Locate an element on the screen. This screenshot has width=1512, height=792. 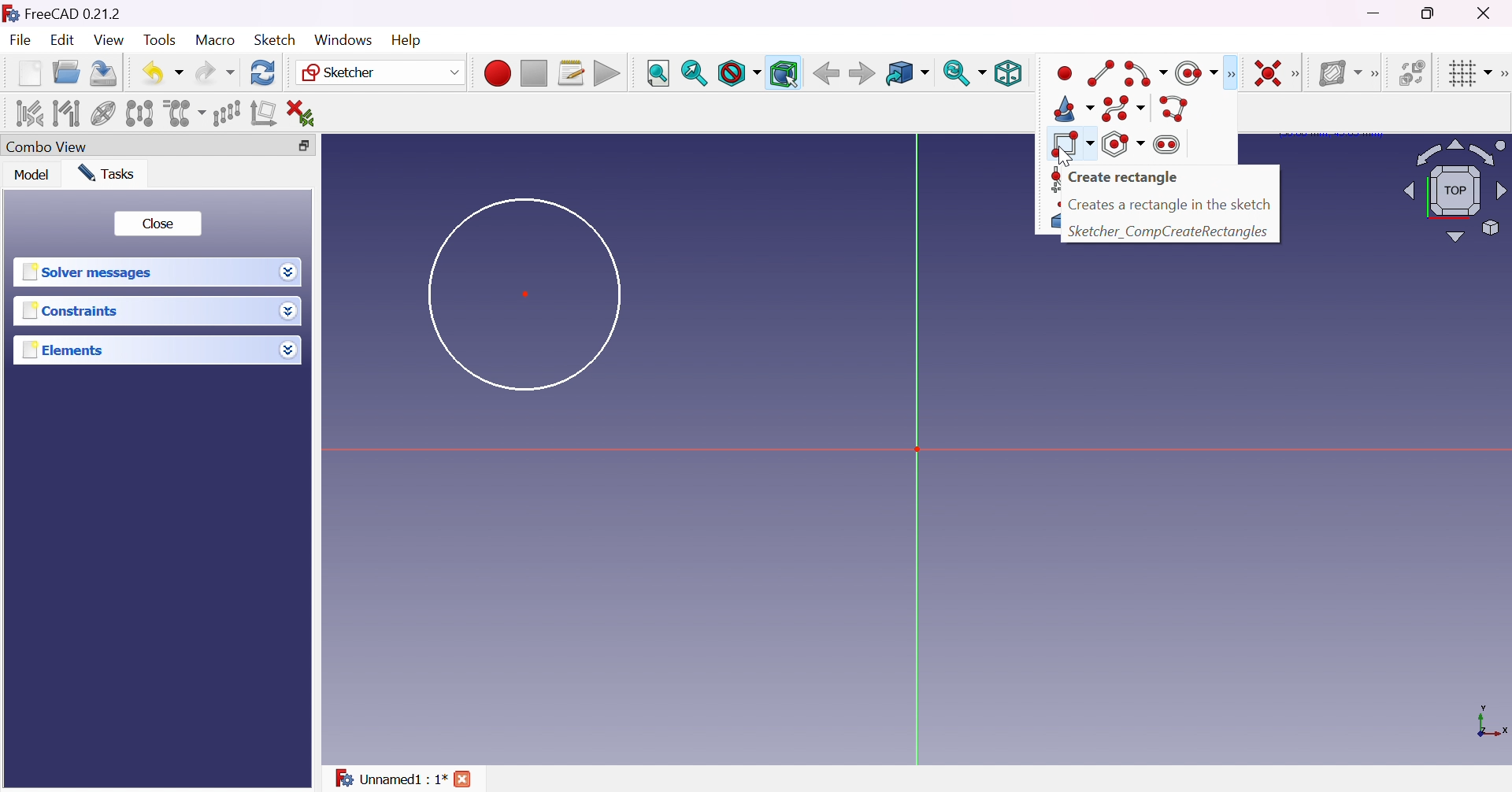
Switch virtual space is located at coordinates (1415, 72).